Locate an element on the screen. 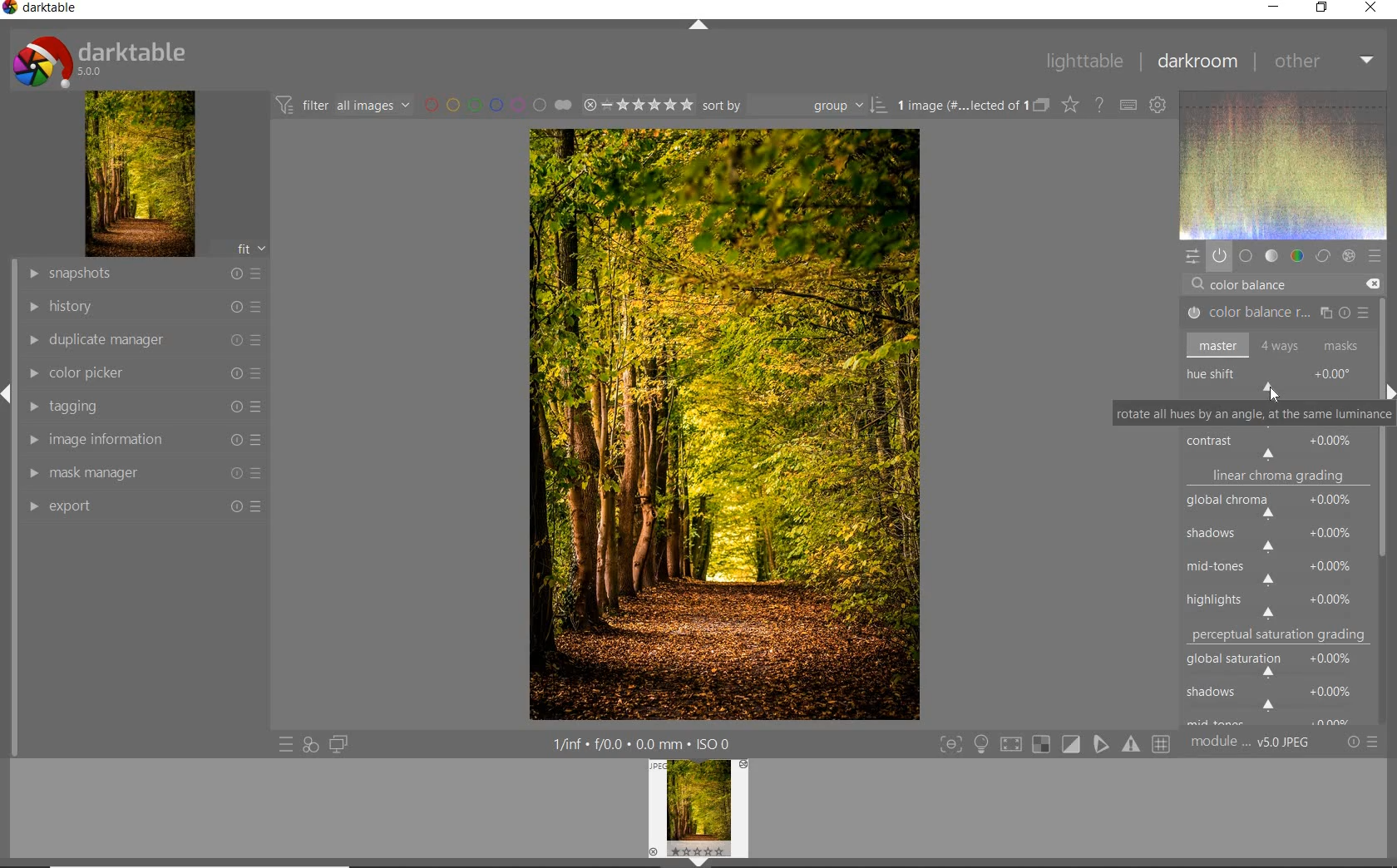 The image size is (1397, 868). shadows is located at coordinates (1276, 696).